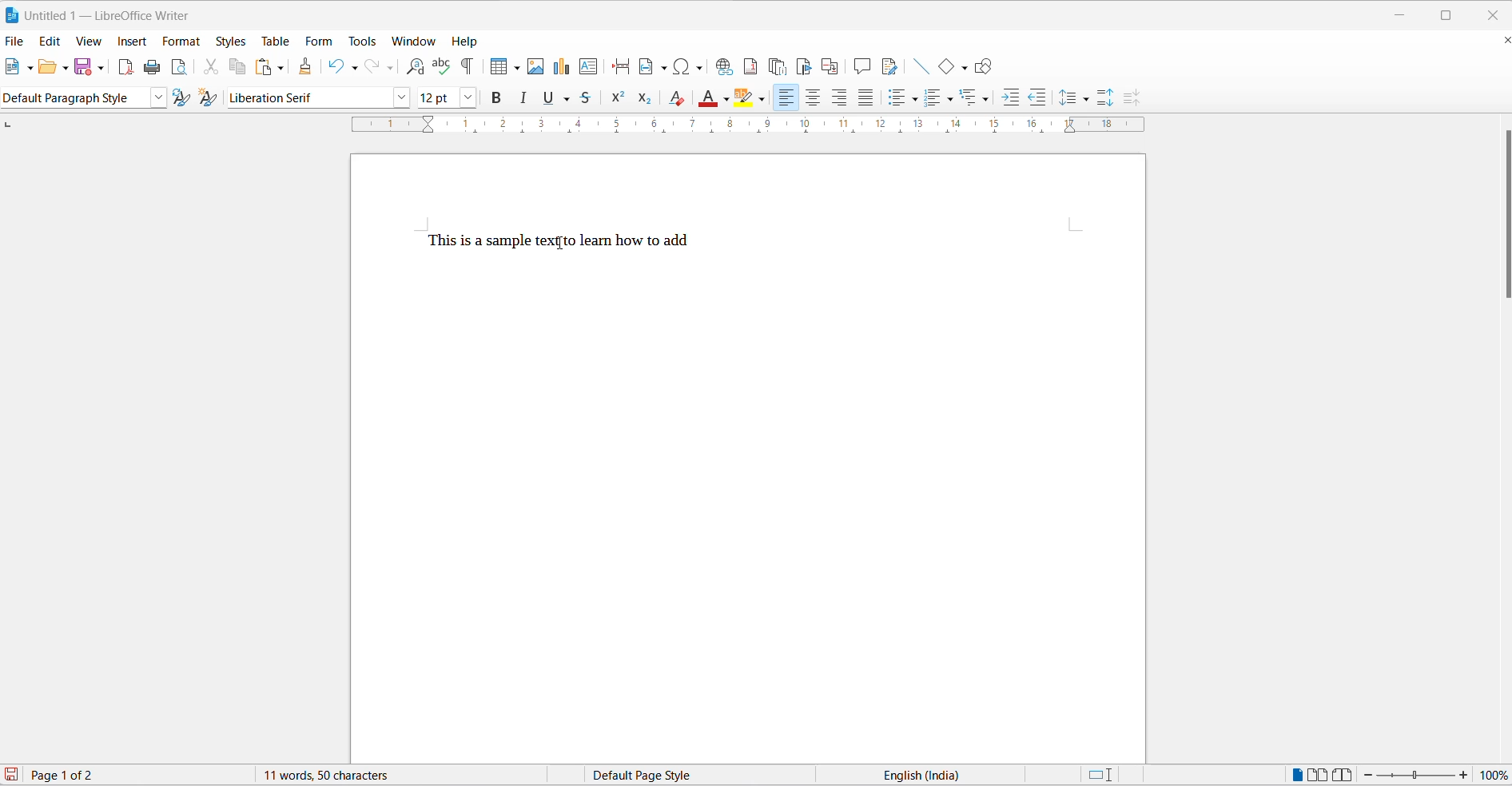  Describe the element at coordinates (1492, 13) in the screenshot. I see `close` at that location.